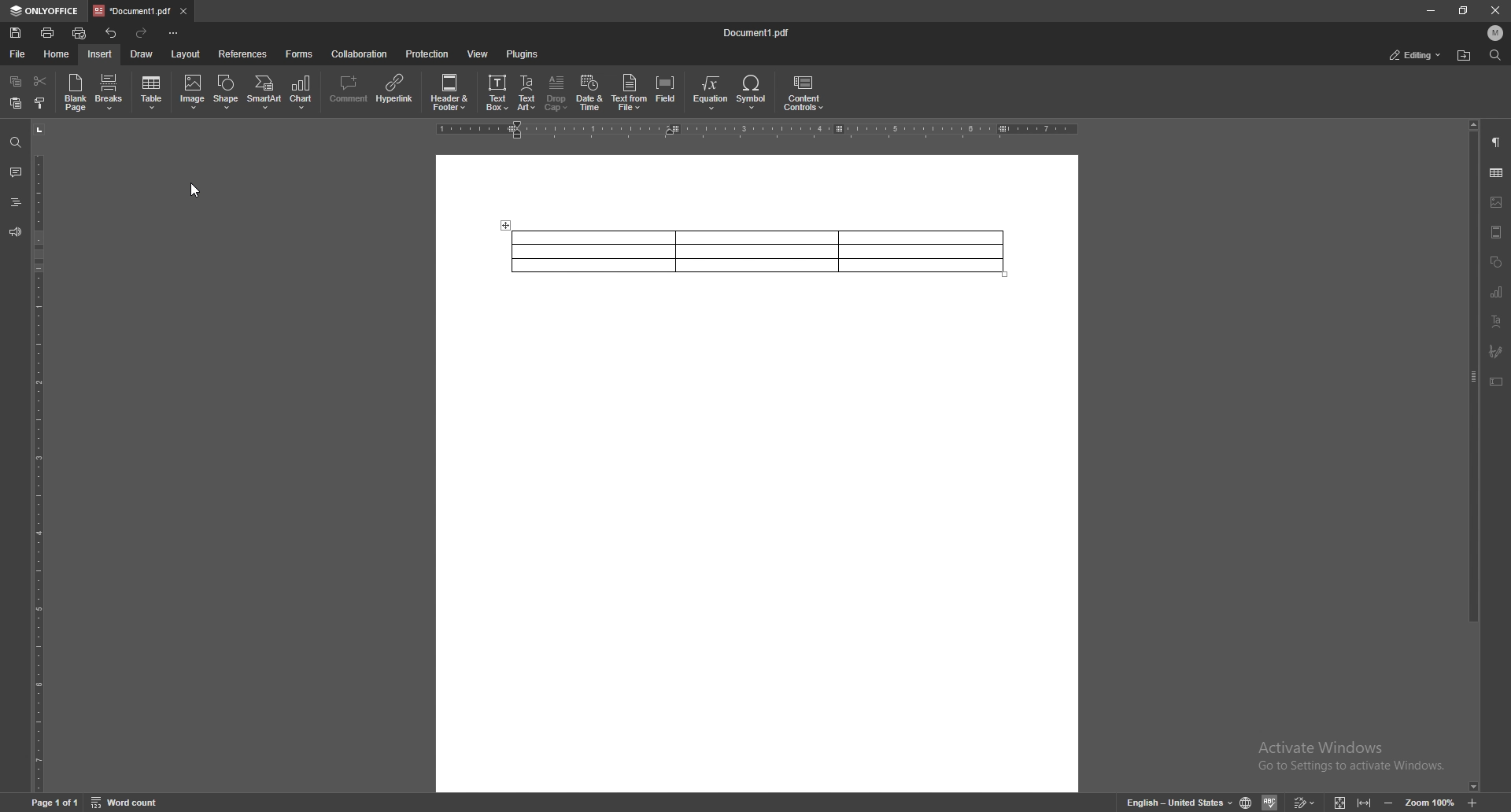 This screenshot has height=812, width=1511. Describe the element at coordinates (193, 92) in the screenshot. I see `image` at that location.